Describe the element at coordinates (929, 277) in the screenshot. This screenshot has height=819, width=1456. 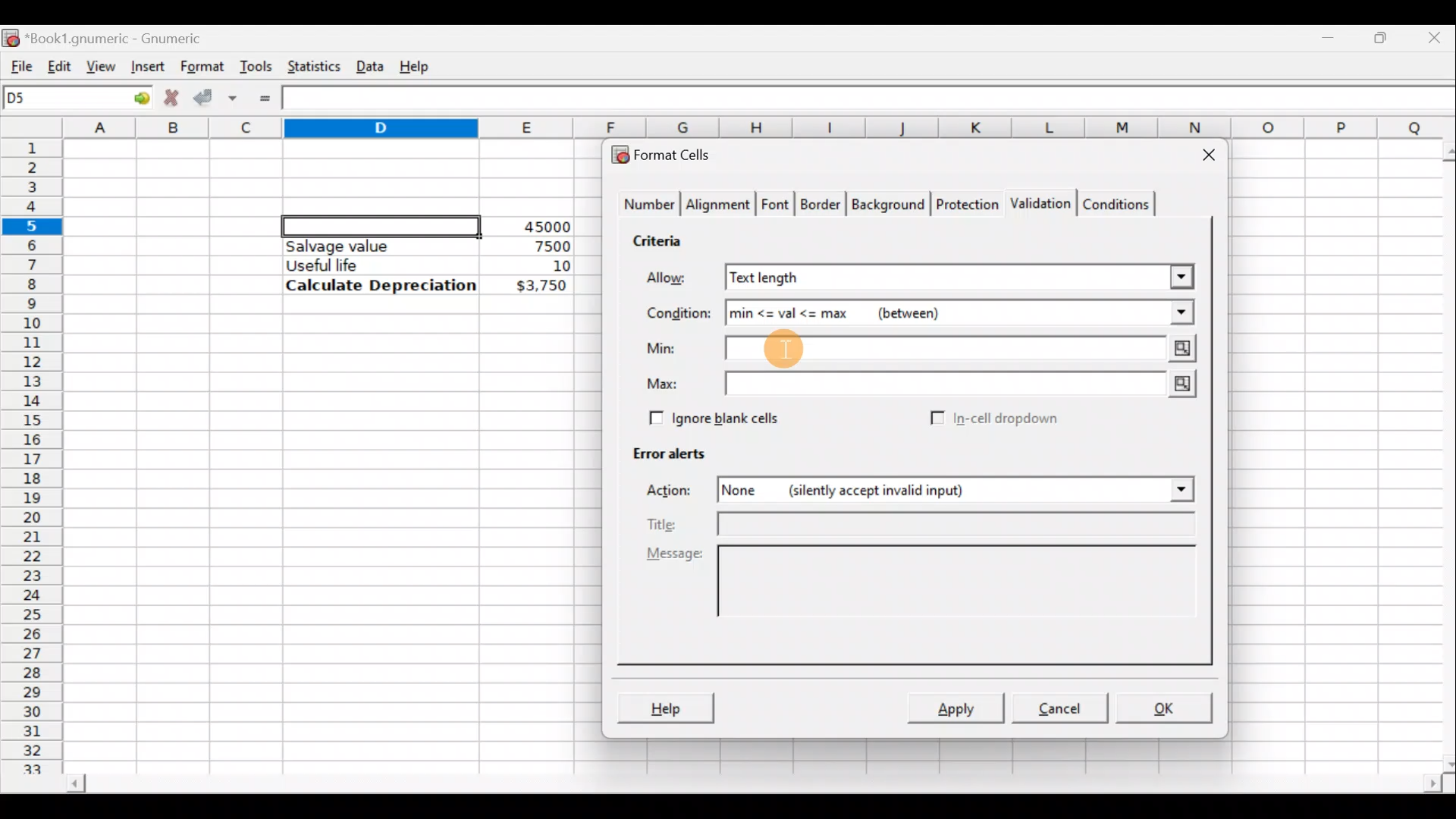
I see `Any value (no validation)` at that location.